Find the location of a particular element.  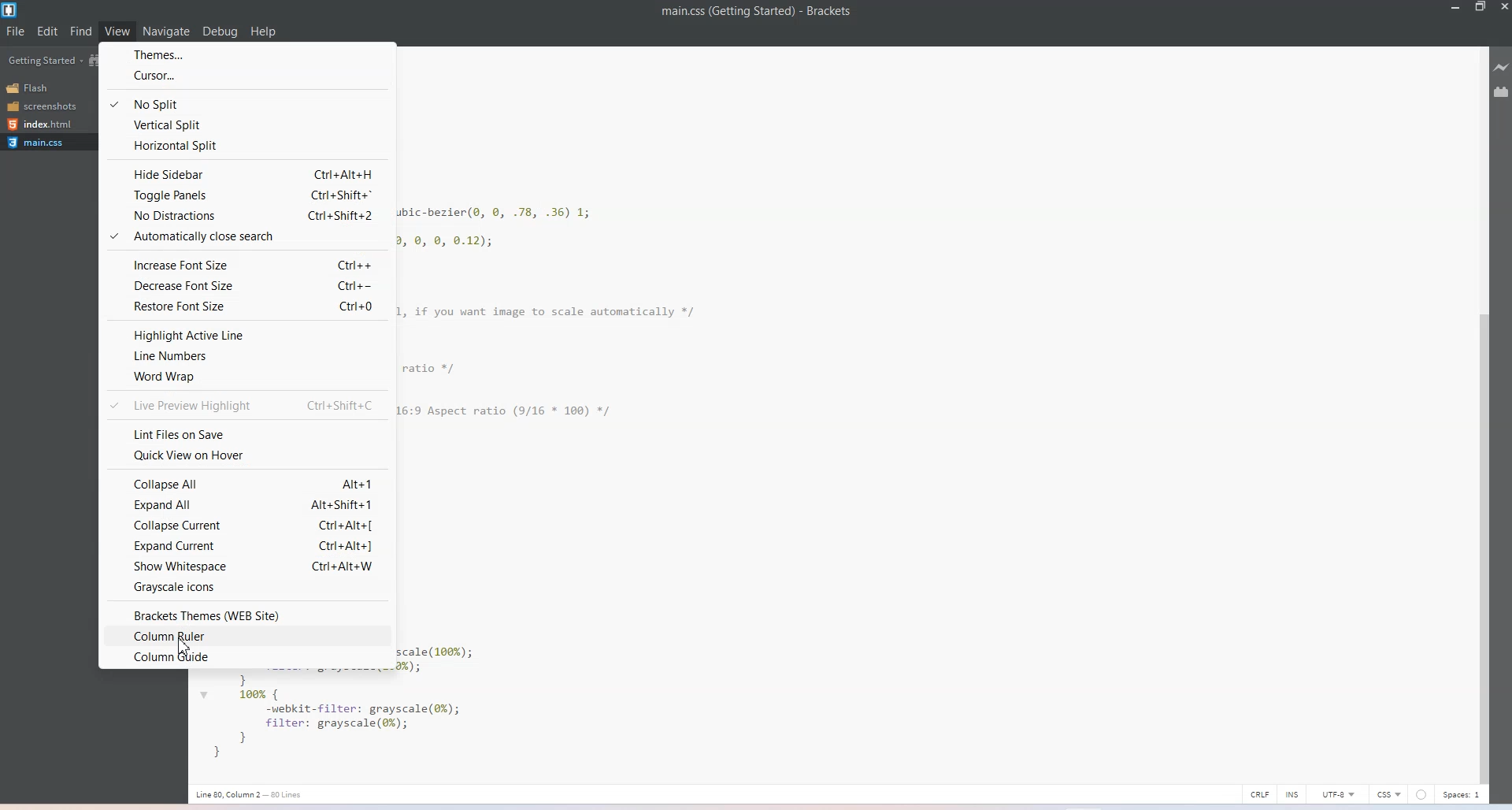

Expand current is located at coordinates (243, 547).